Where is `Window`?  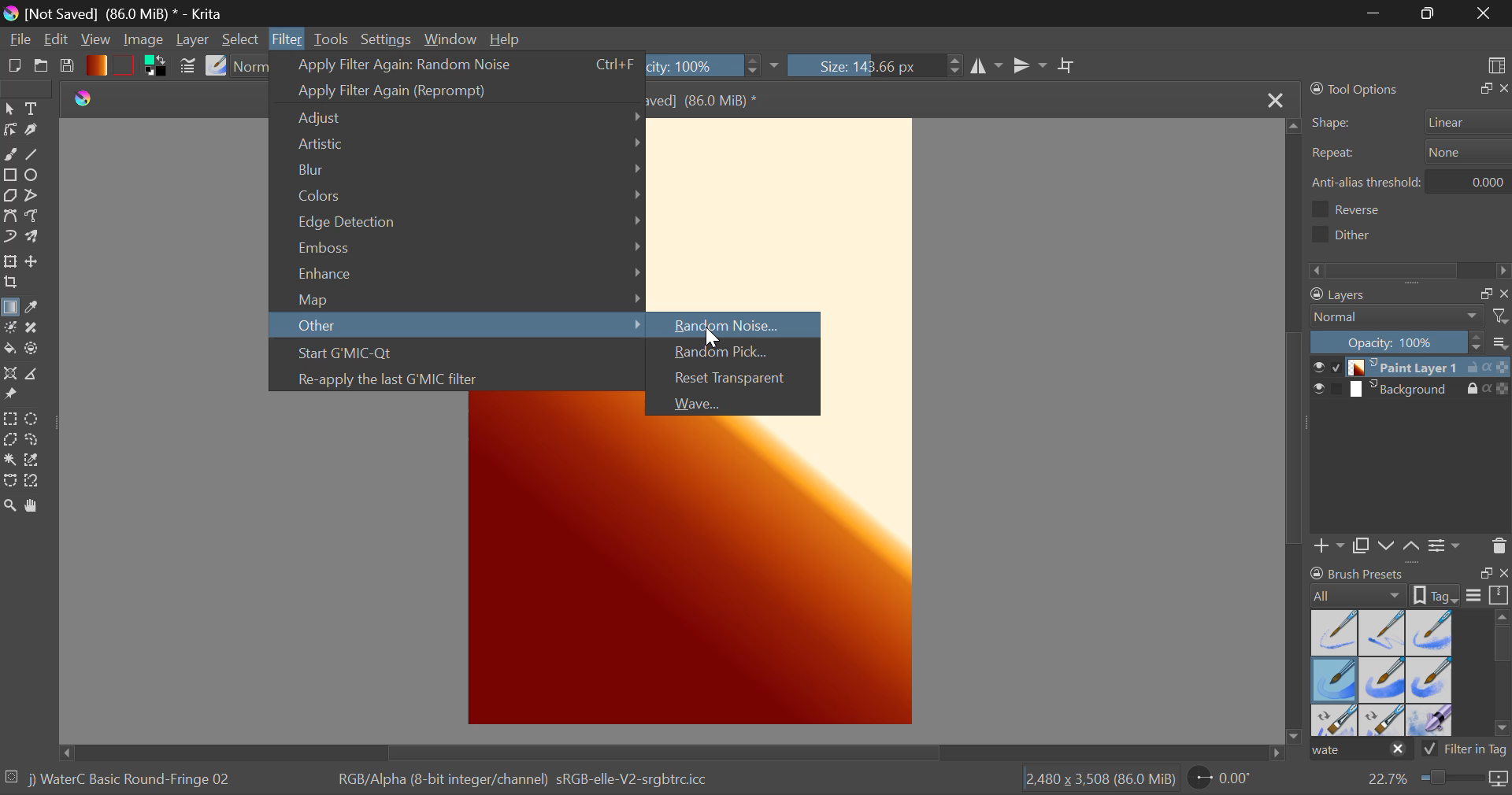
Window is located at coordinates (449, 38).